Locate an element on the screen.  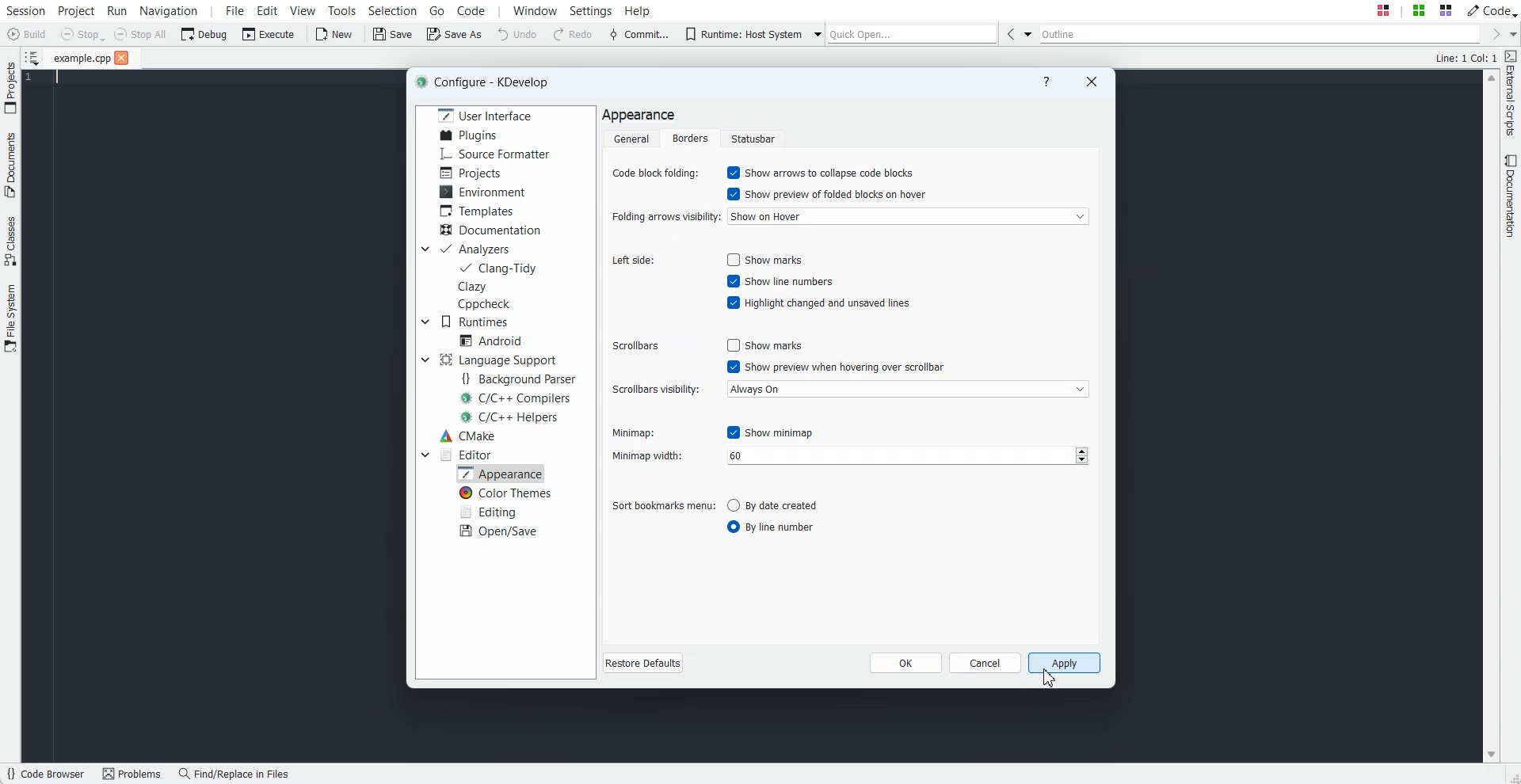
Statusbar is located at coordinates (753, 138).